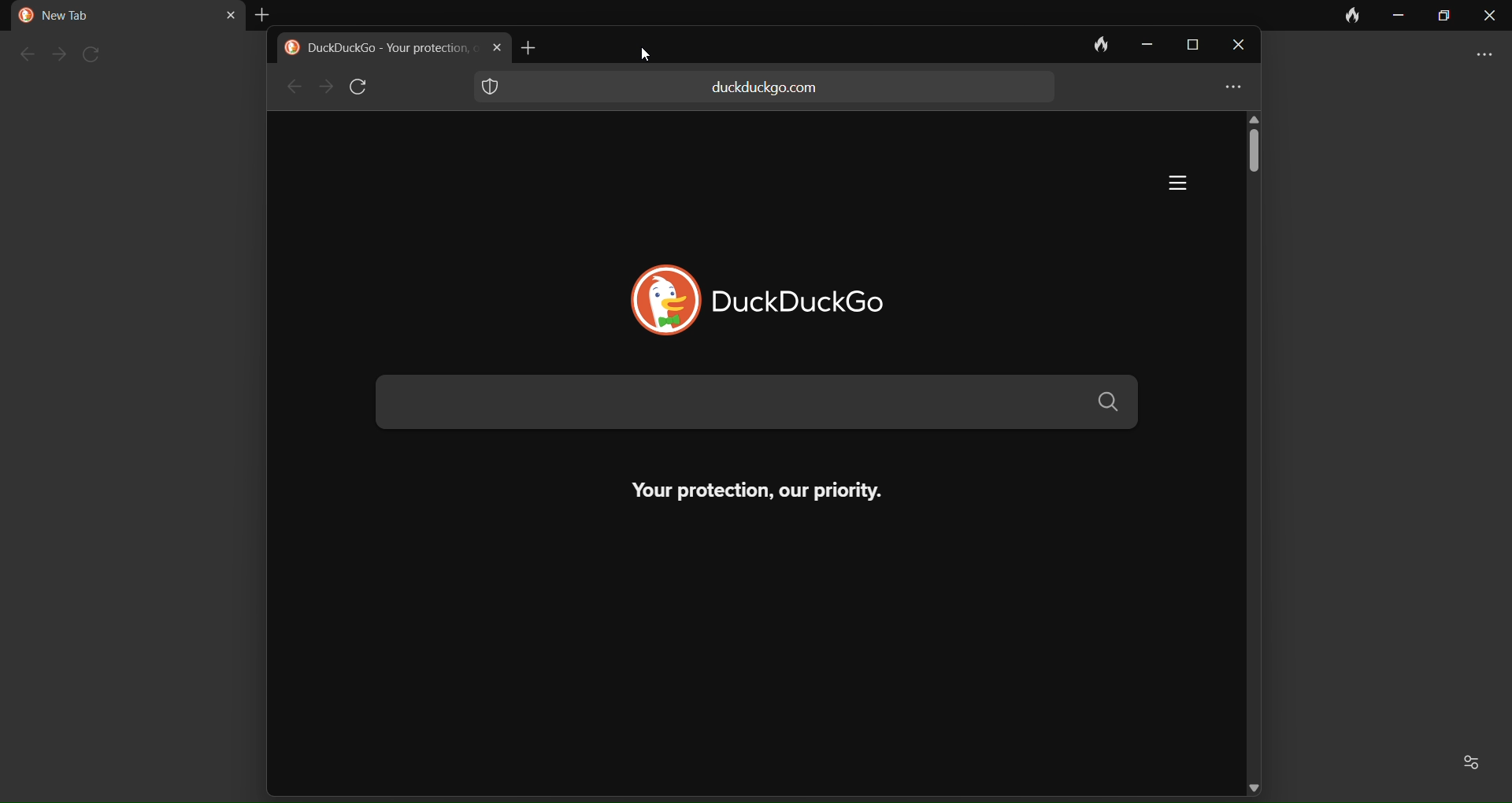  Describe the element at coordinates (754, 403) in the screenshot. I see `search bar` at that location.